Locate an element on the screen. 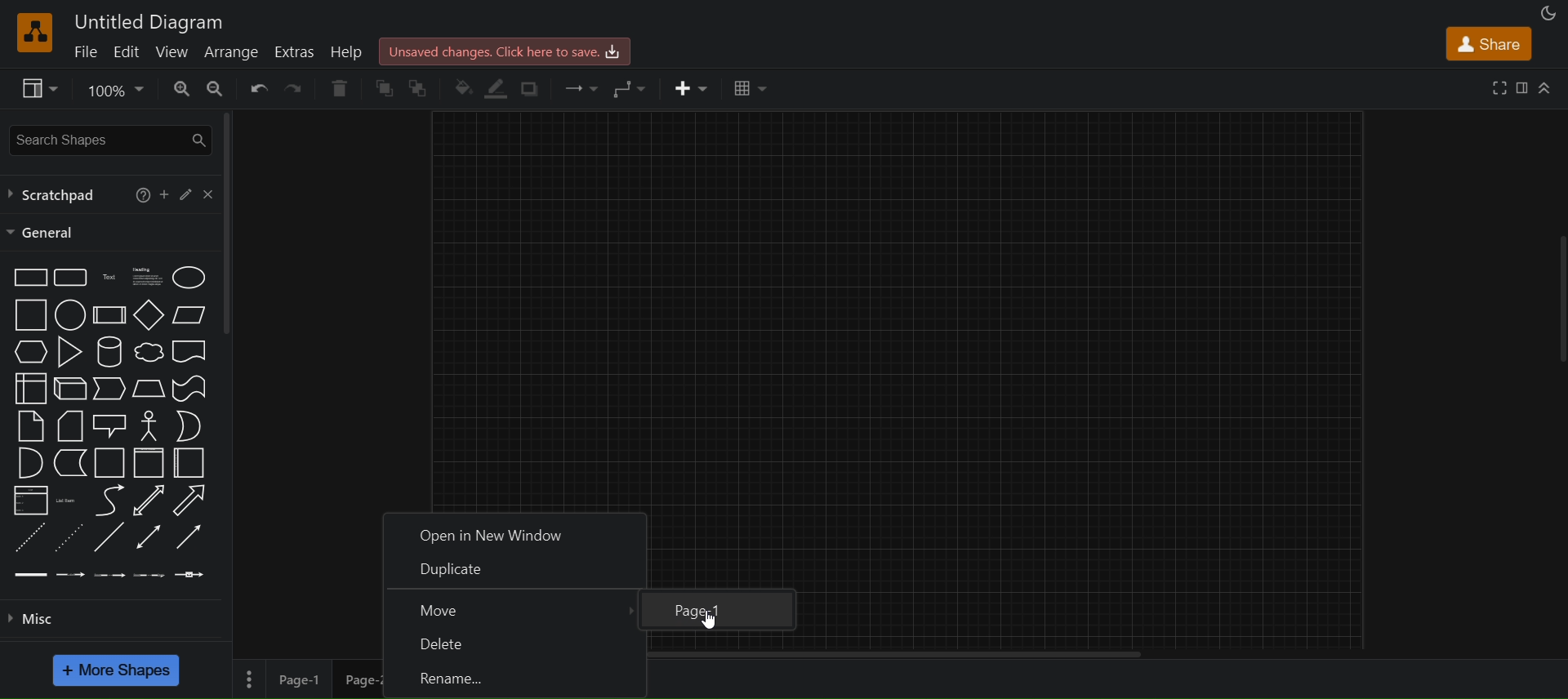 The height and width of the screenshot is (699, 1568). diamond is located at coordinates (149, 314).